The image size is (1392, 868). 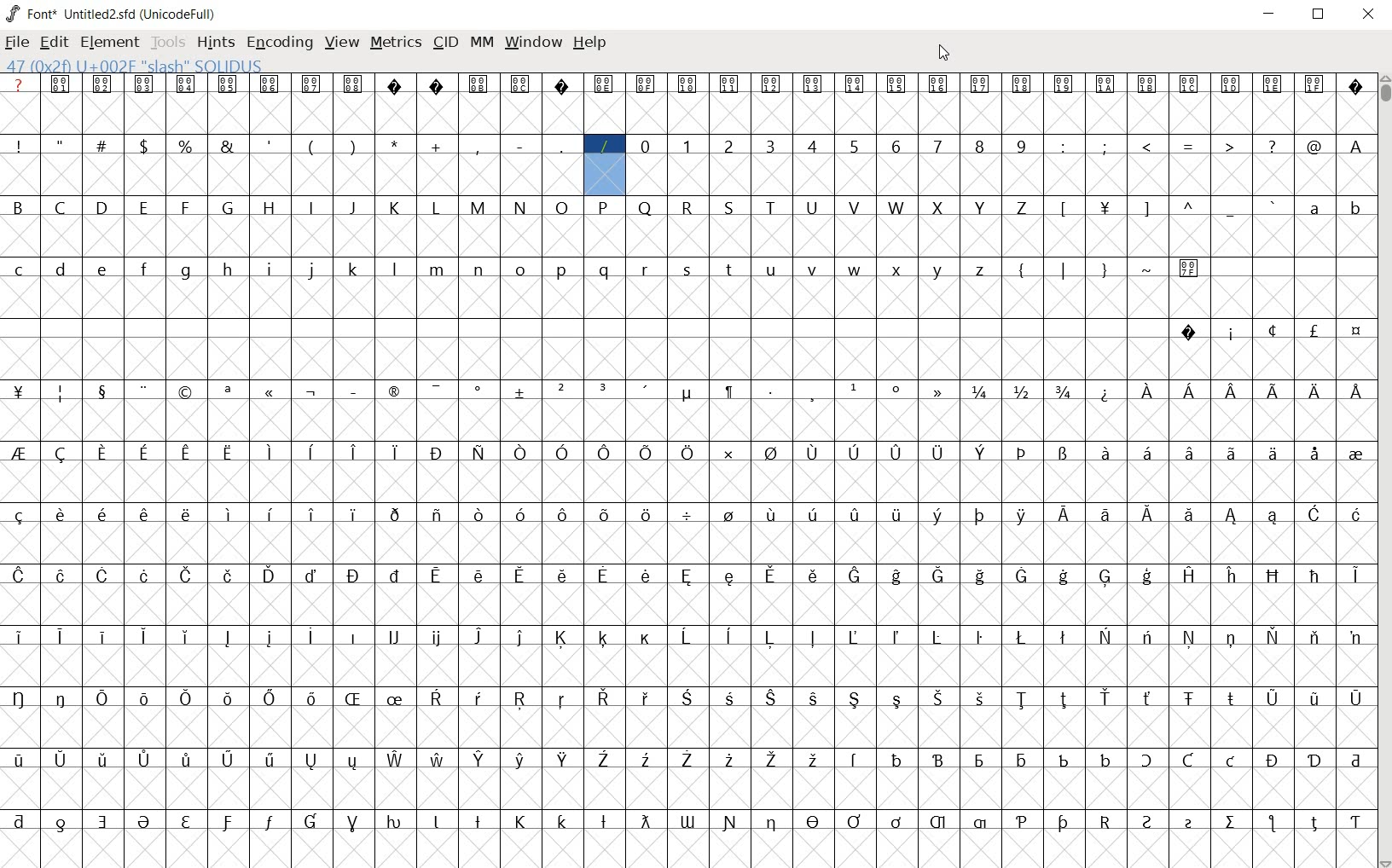 What do you see at coordinates (311, 148) in the screenshot?
I see `glyph` at bounding box center [311, 148].